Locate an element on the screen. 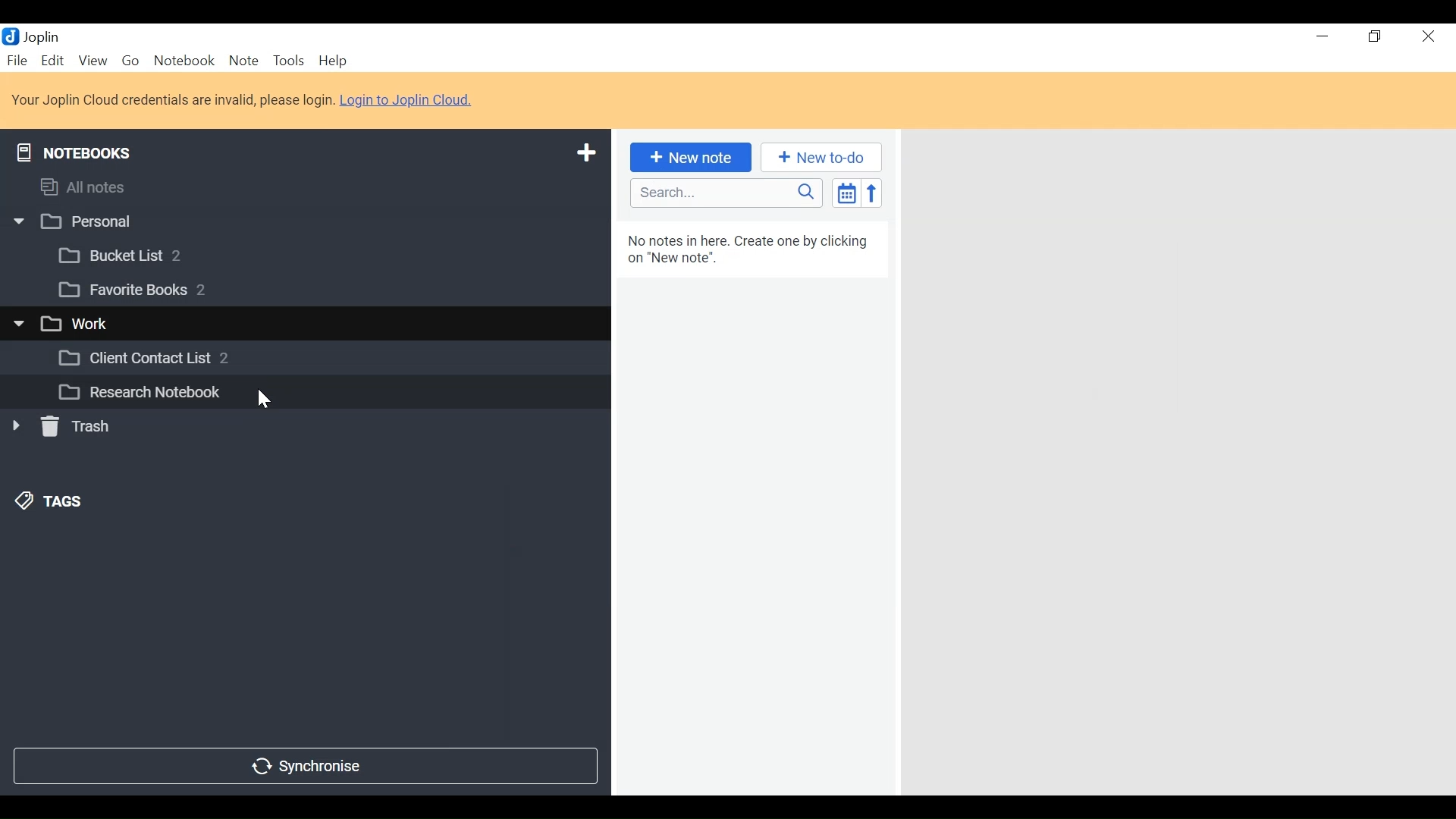 Image resolution: width=1456 pixels, height=819 pixels. Go is located at coordinates (130, 59).